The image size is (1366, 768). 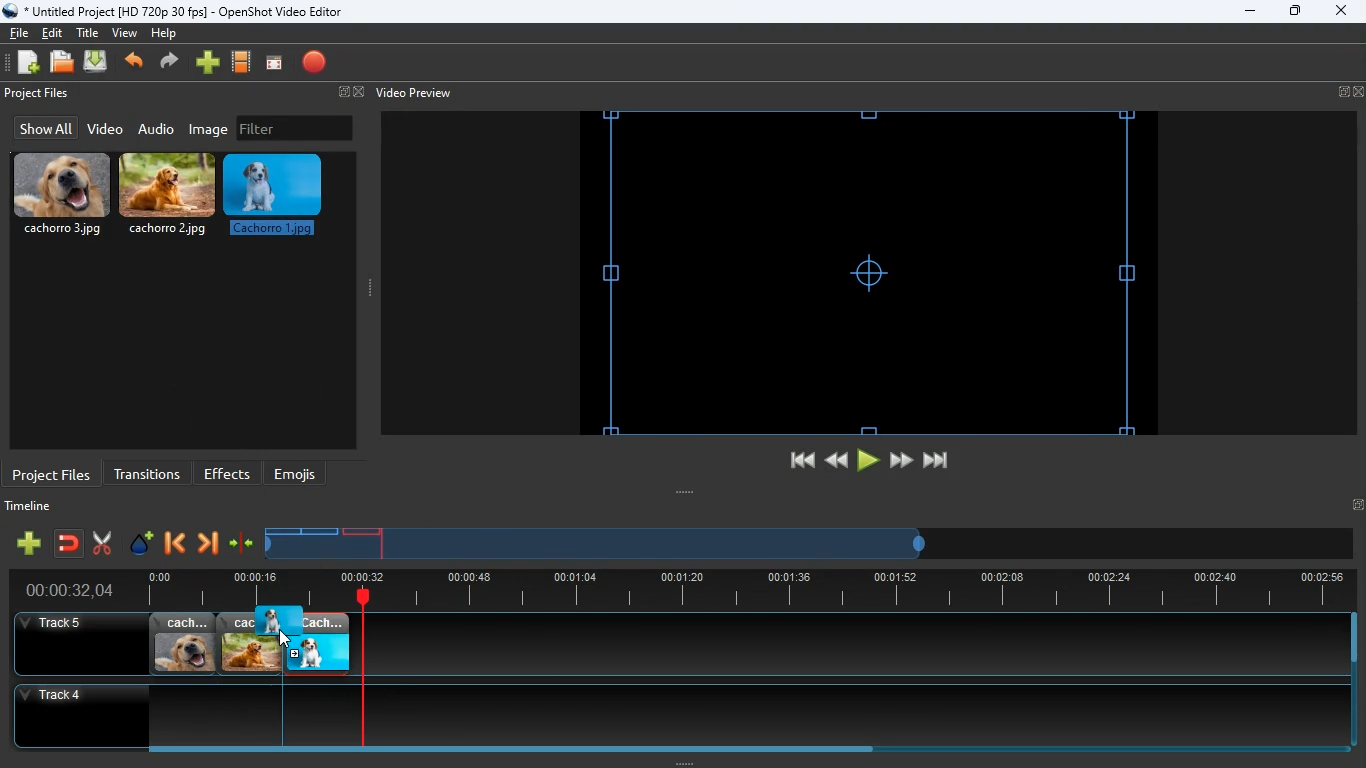 I want to click on transitions, so click(x=147, y=472).